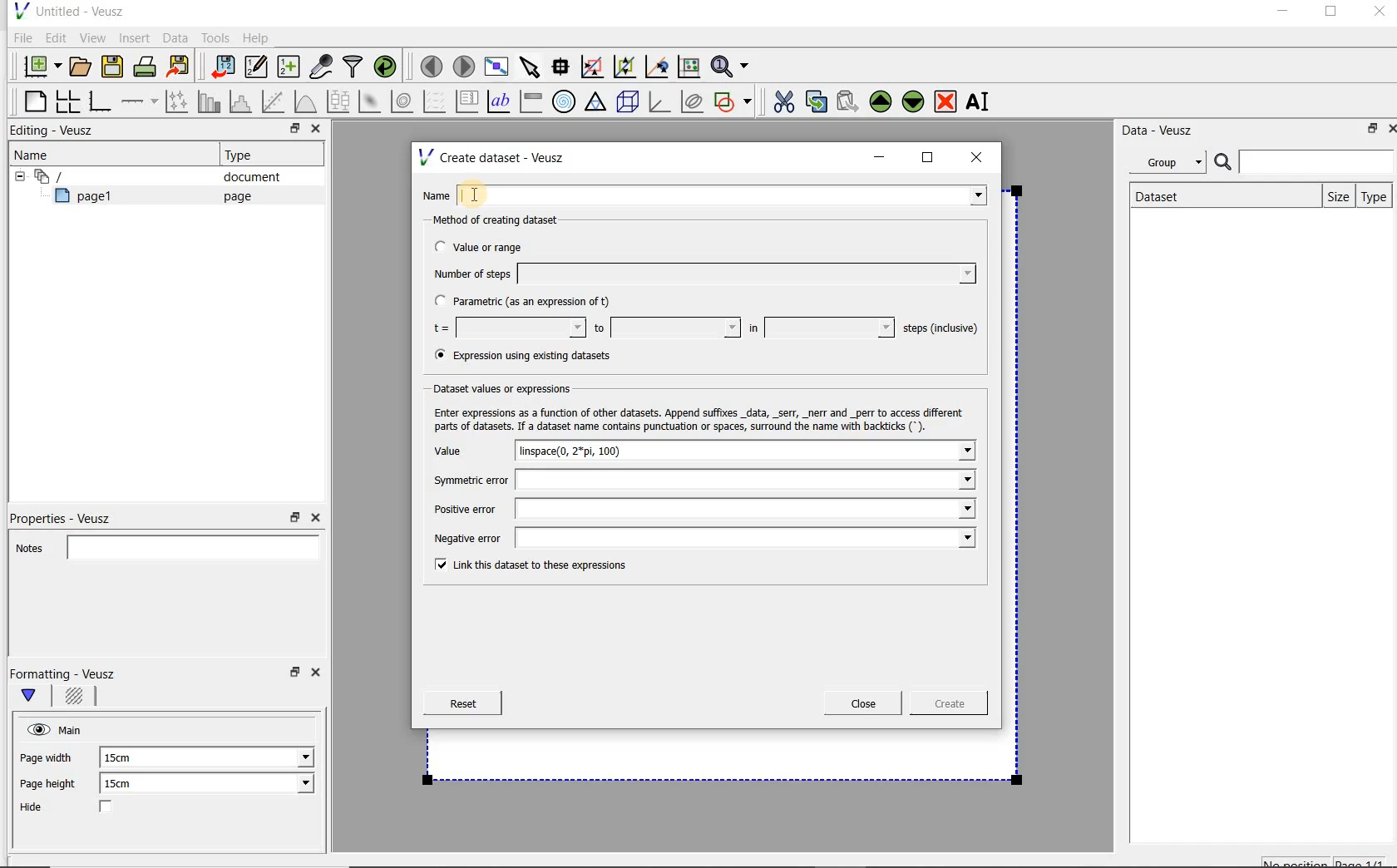 The image size is (1397, 868). Describe the element at coordinates (468, 101) in the screenshot. I see `plot key` at that location.